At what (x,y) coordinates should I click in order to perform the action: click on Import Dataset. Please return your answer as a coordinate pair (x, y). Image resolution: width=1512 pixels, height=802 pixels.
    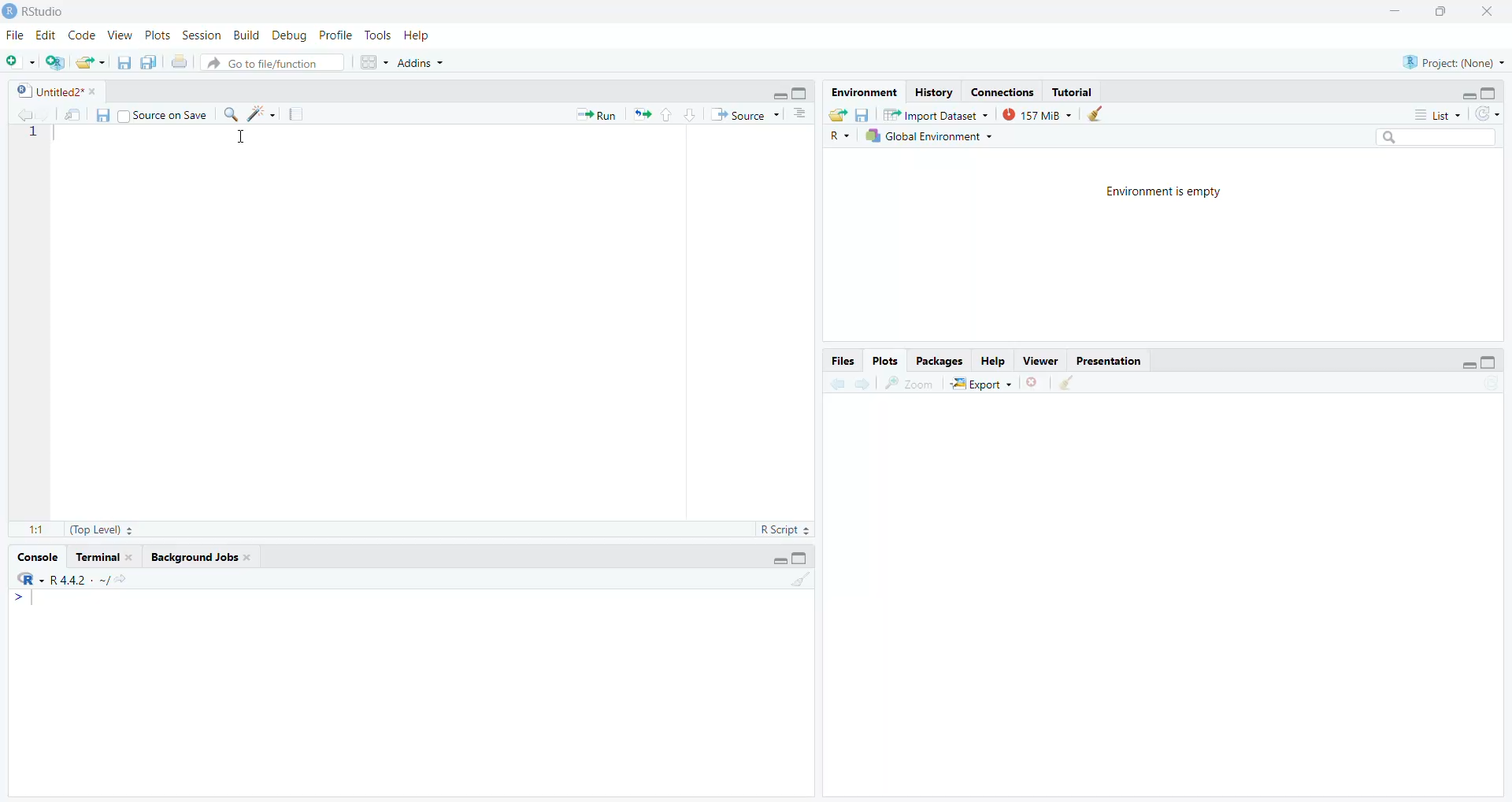
    Looking at the image, I should click on (936, 115).